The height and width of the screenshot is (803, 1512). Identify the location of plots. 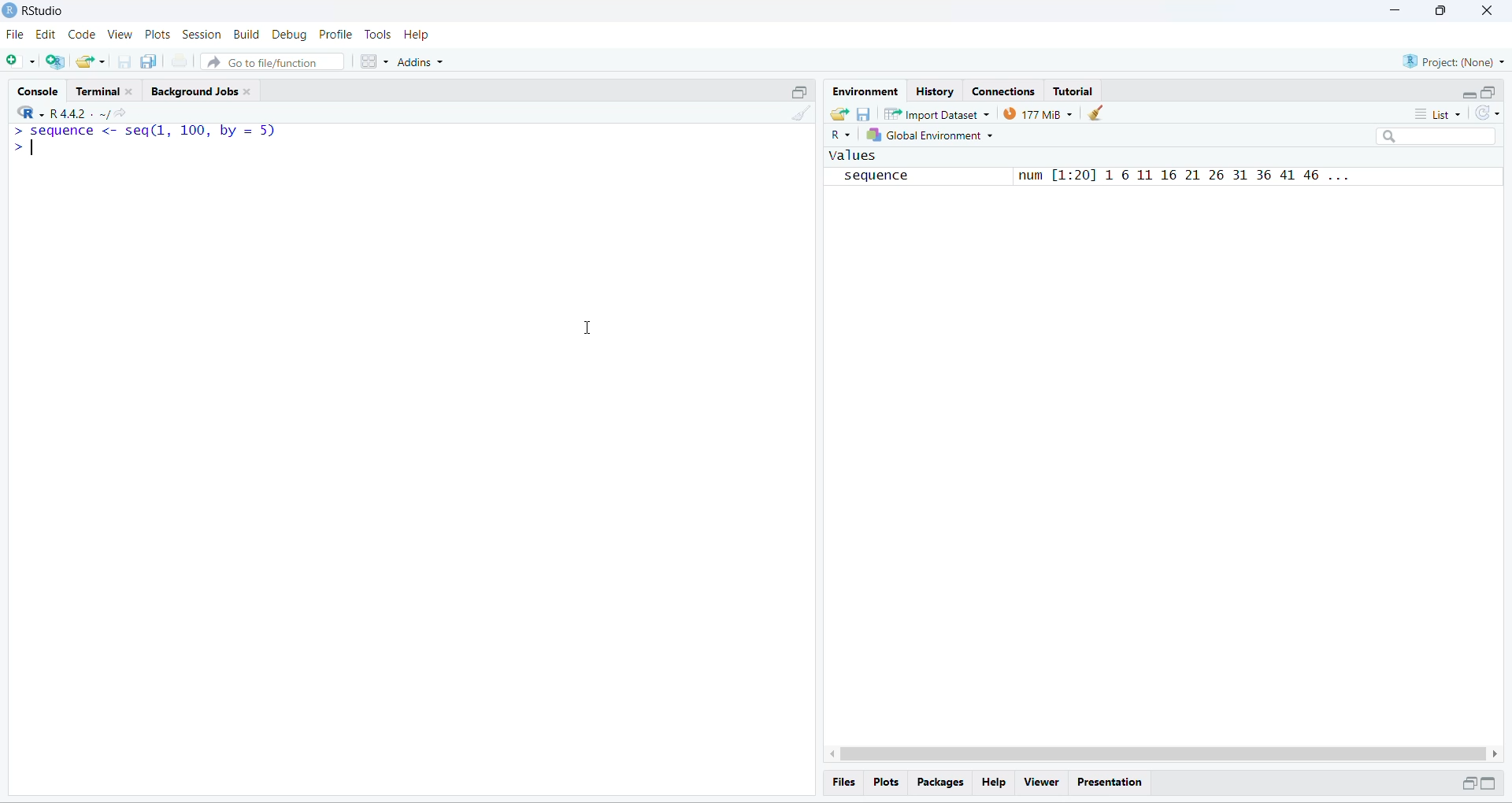
(887, 783).